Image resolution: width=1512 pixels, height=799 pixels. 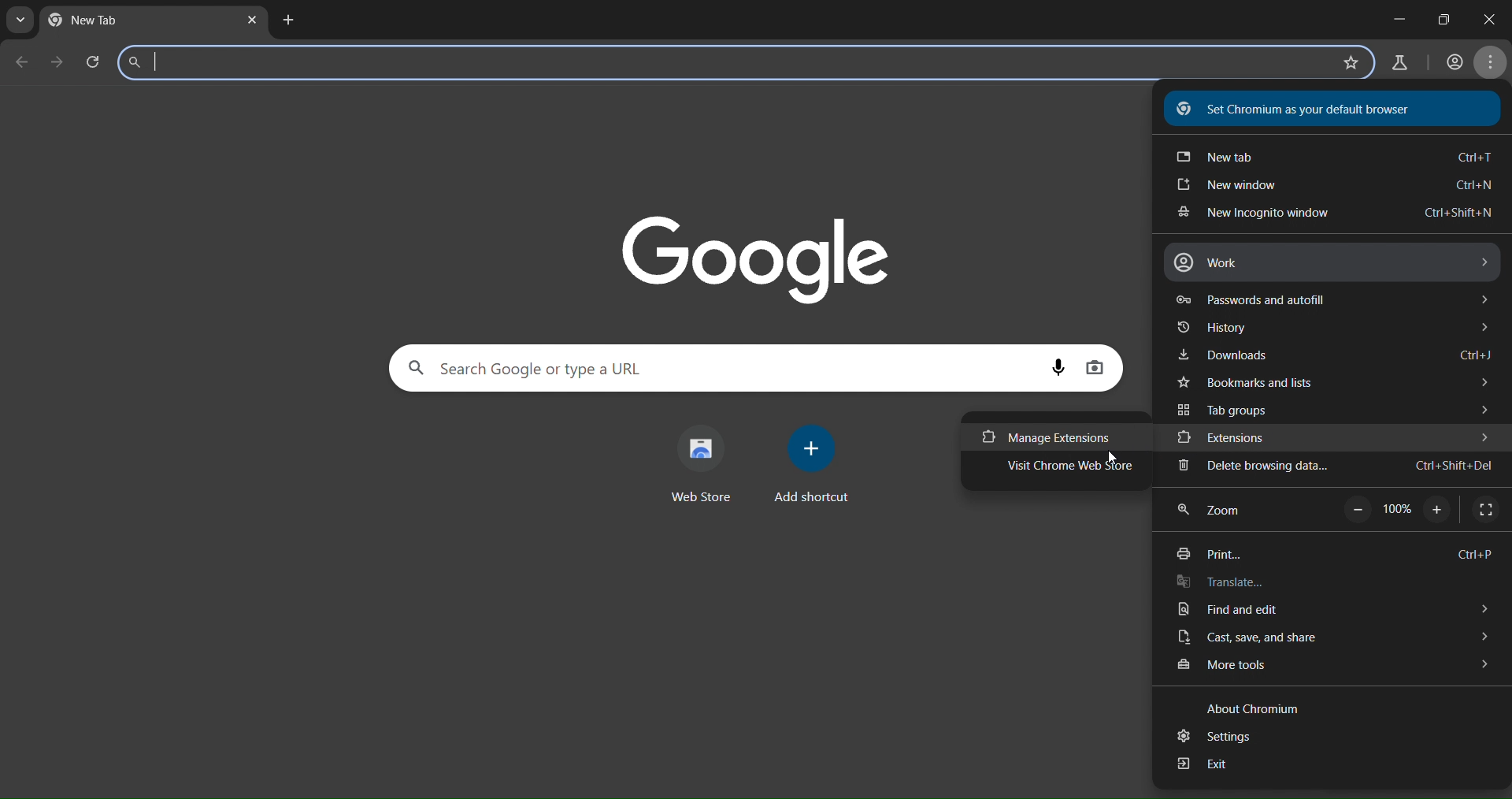 I want to click on imagesearch, so click(x=1100, y=370).